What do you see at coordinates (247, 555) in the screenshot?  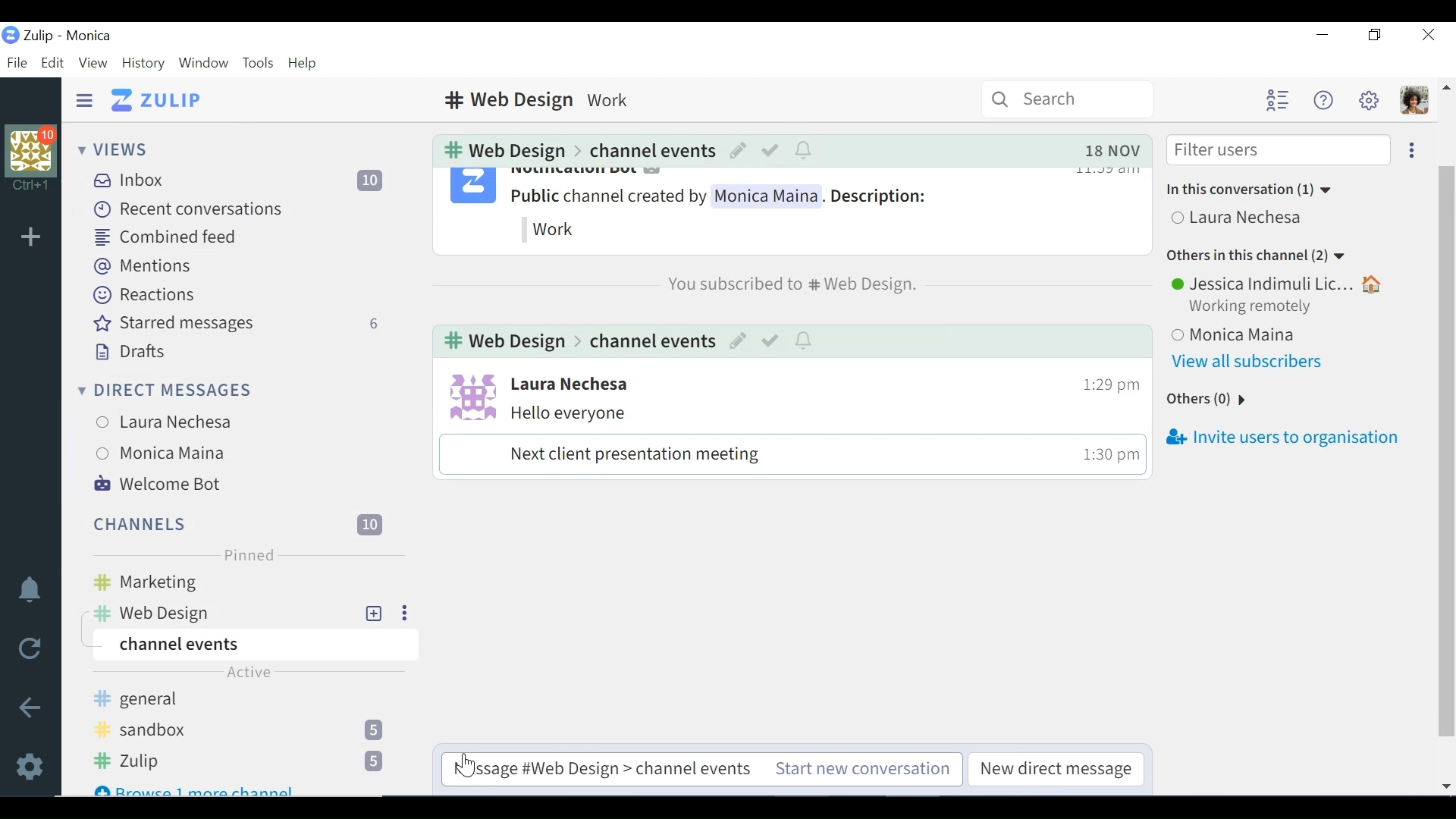 I see `Pinned label` at bounding box center [247, 555].